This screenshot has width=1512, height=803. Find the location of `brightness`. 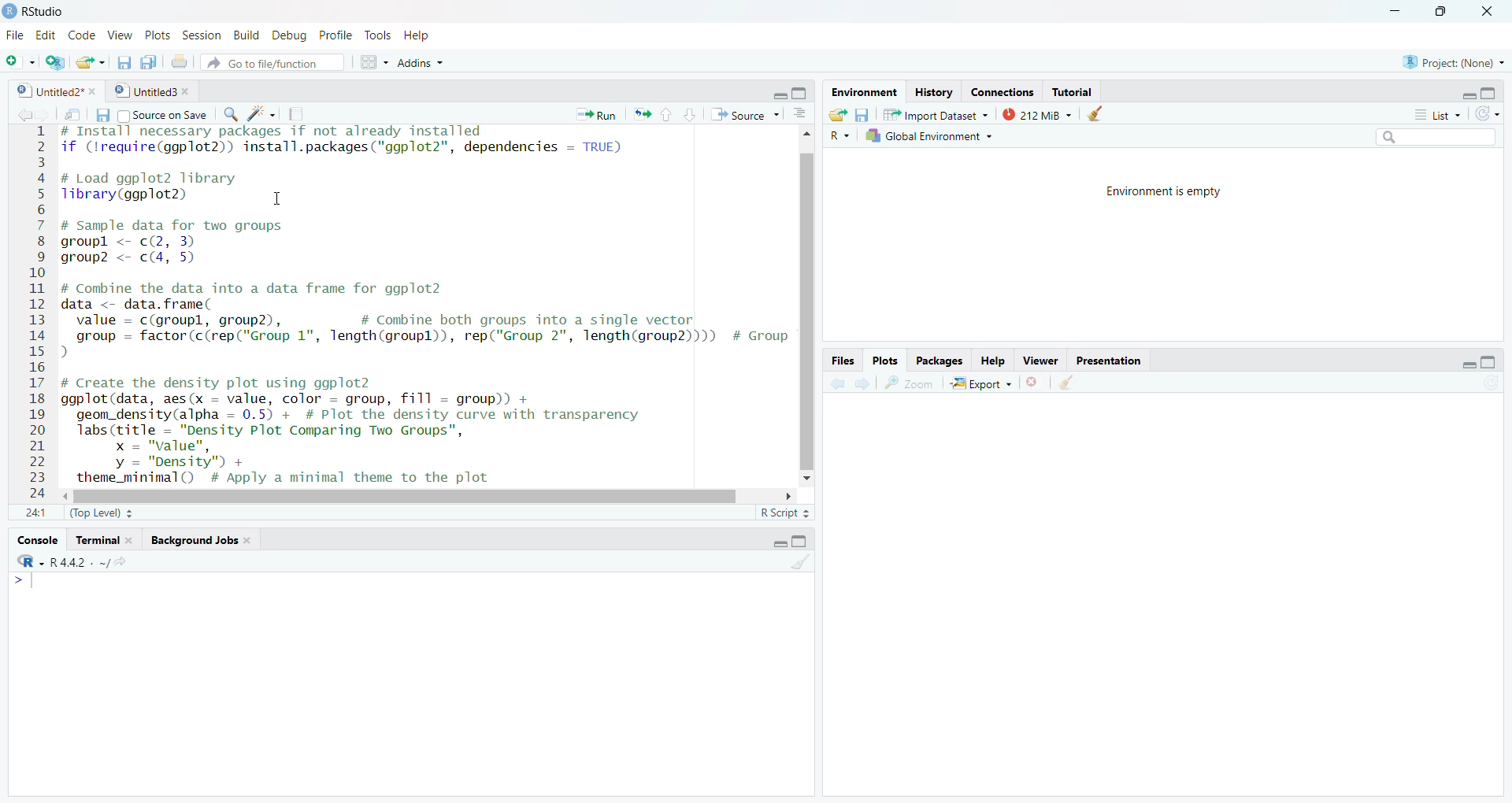

brightness is located at coordinates (263, 112).